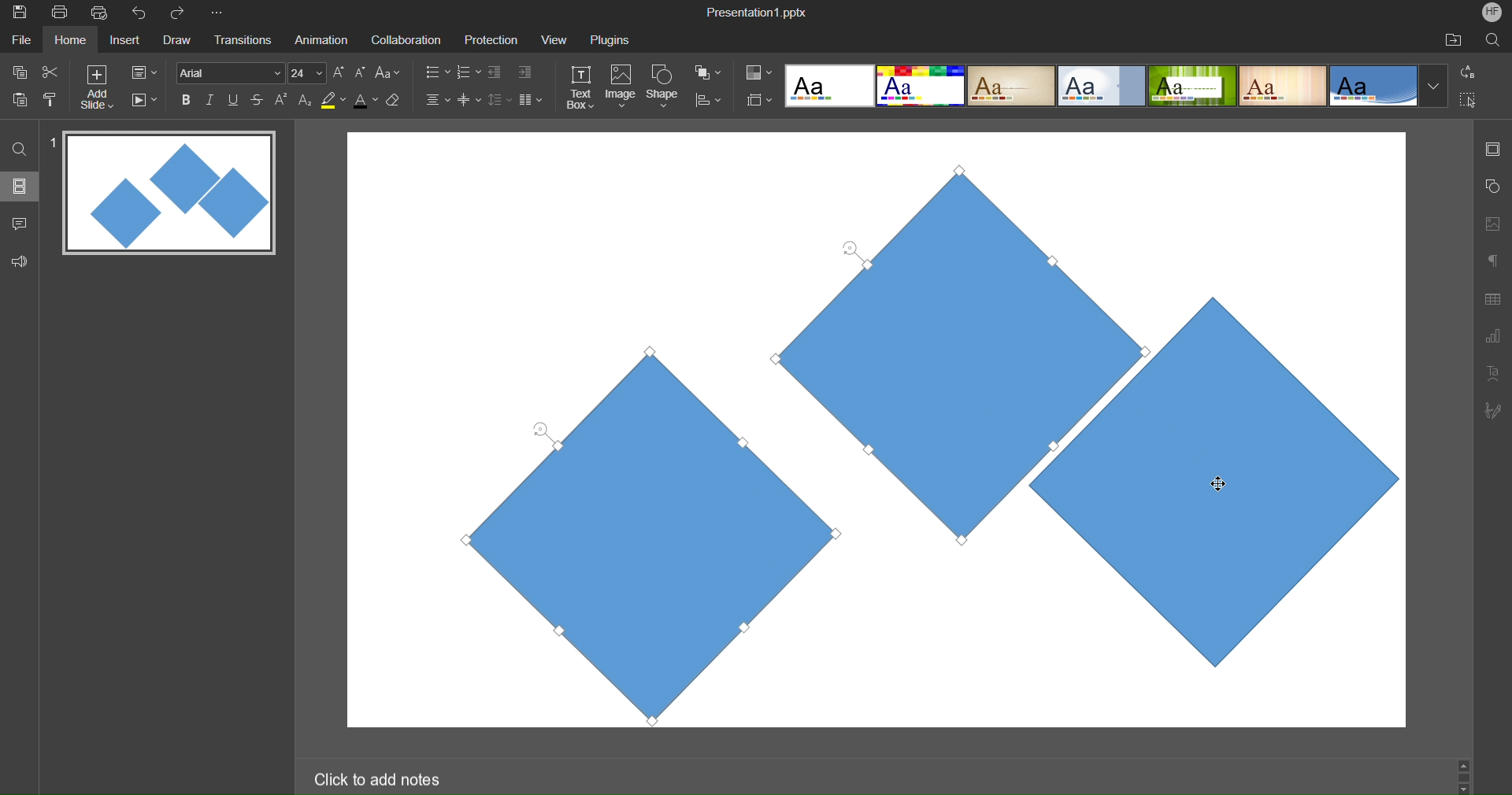 This screenshot has height=795, width=1512. I want to click on Animation, so click(320, 39).